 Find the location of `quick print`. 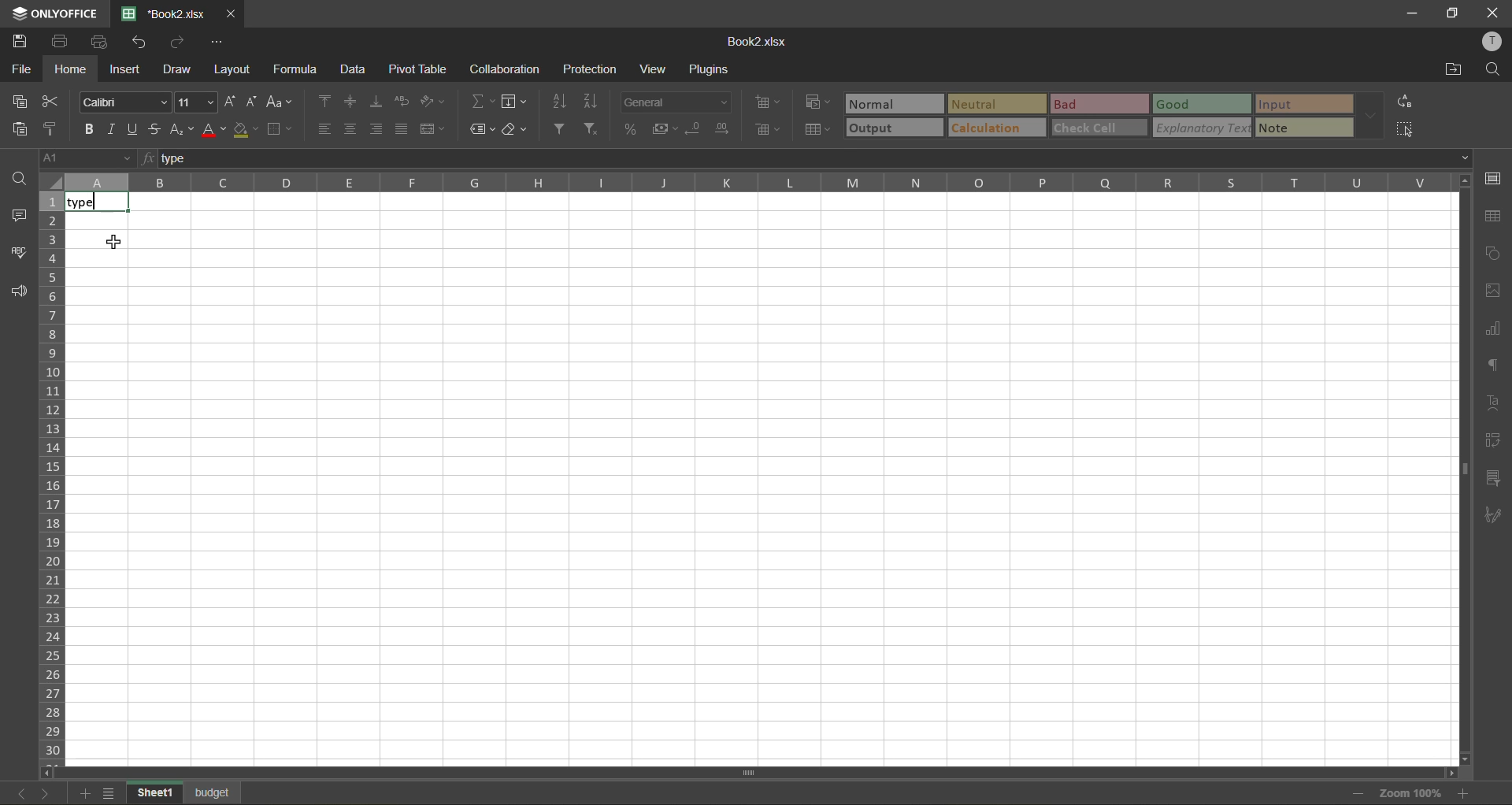

quick print is located at coordinates (104, 43).